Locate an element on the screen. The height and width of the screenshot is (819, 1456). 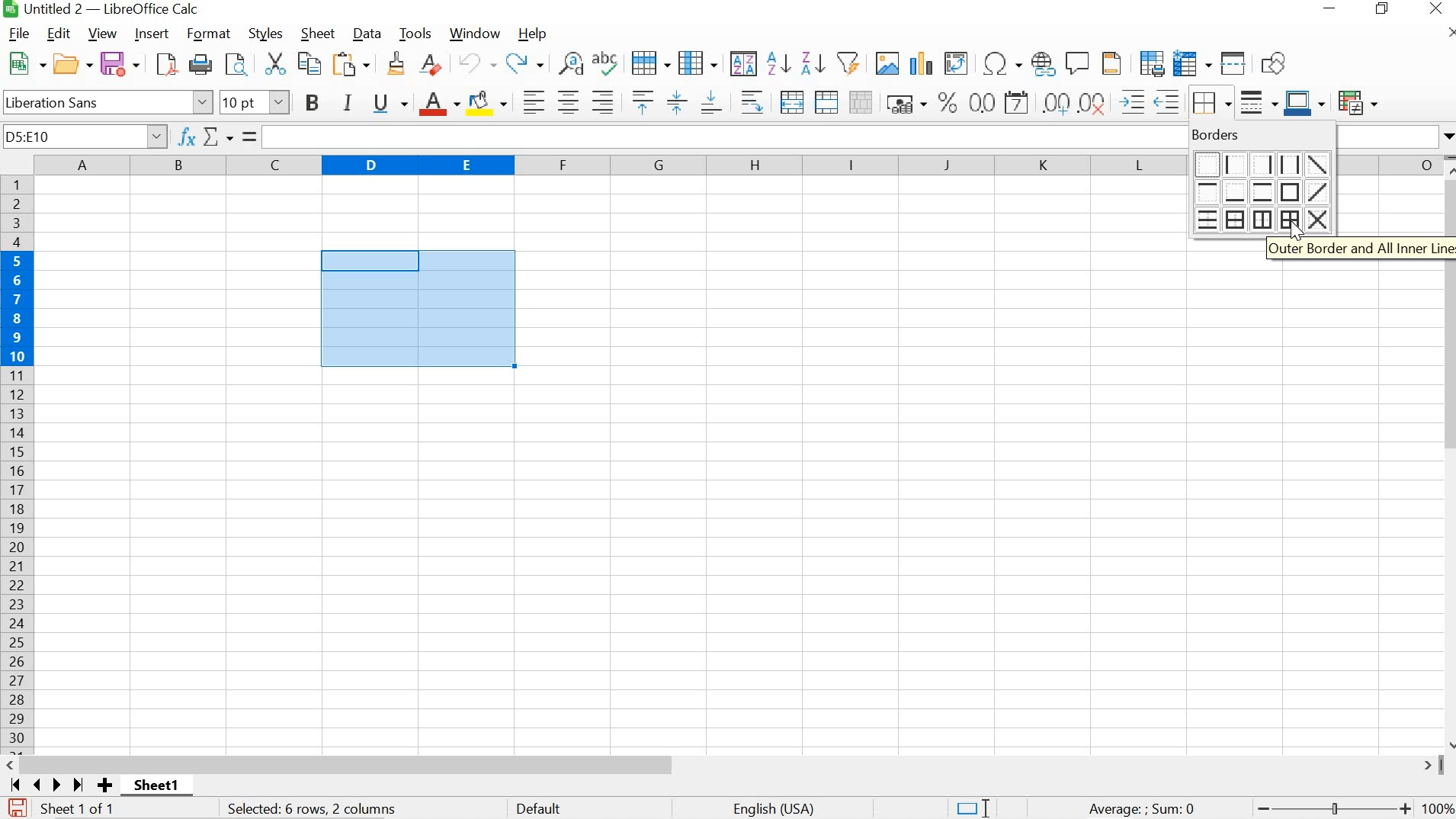
zoom out or zoom in is located at coordinates (1331, 810).